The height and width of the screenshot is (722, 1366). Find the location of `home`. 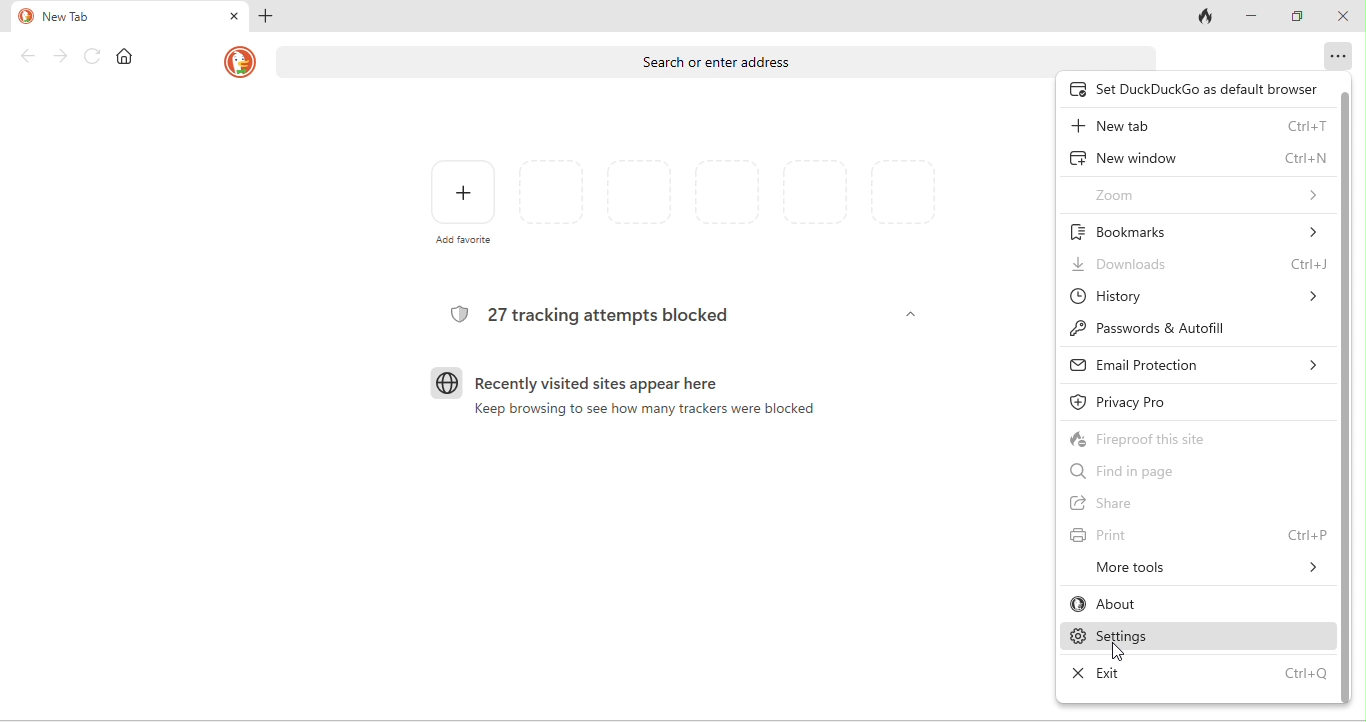

home is located at coordinates (126, 57).